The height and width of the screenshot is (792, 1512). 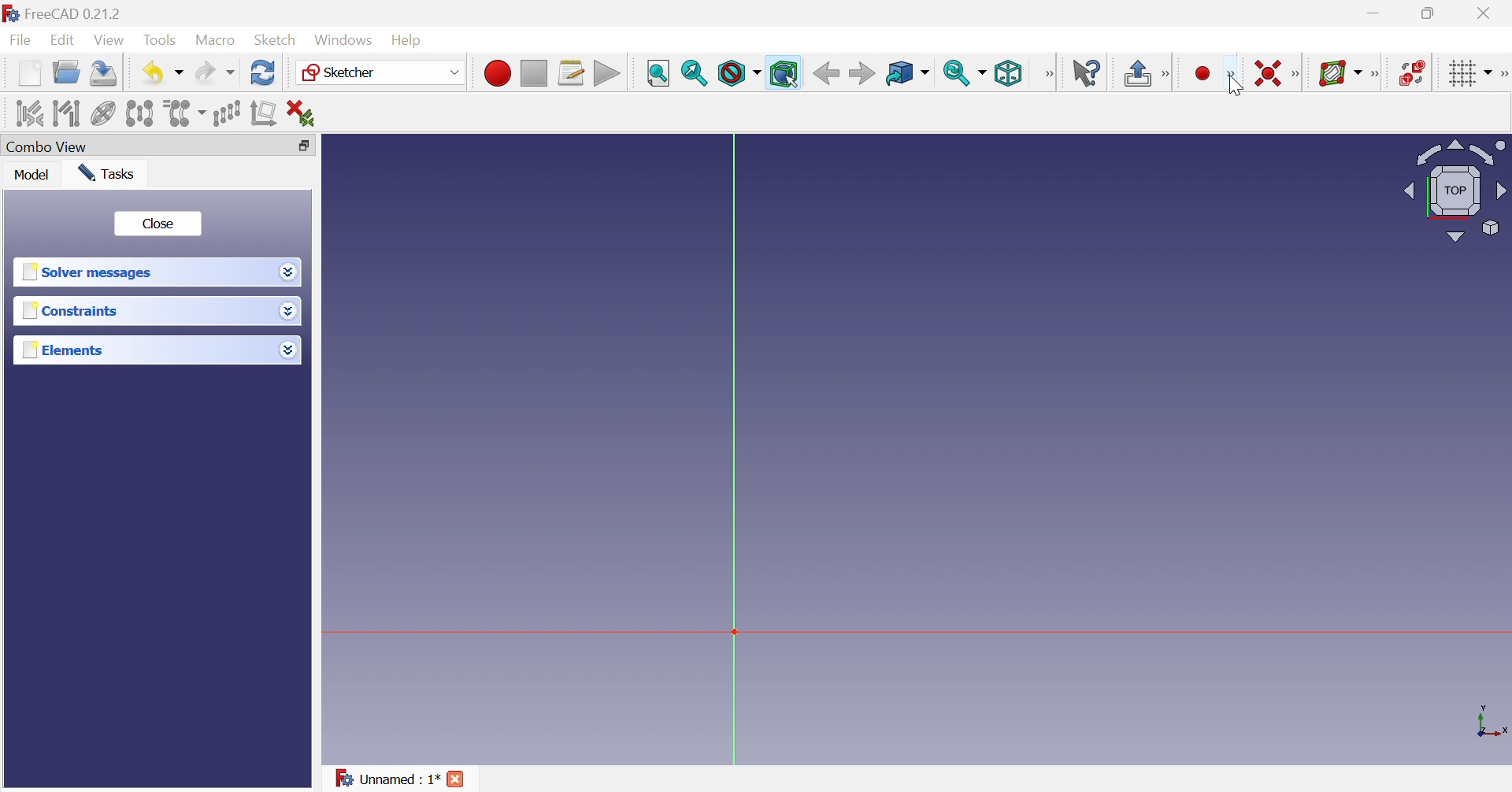 I want to click on FreeCAD 0.21.2, so click(x=74, y=13).